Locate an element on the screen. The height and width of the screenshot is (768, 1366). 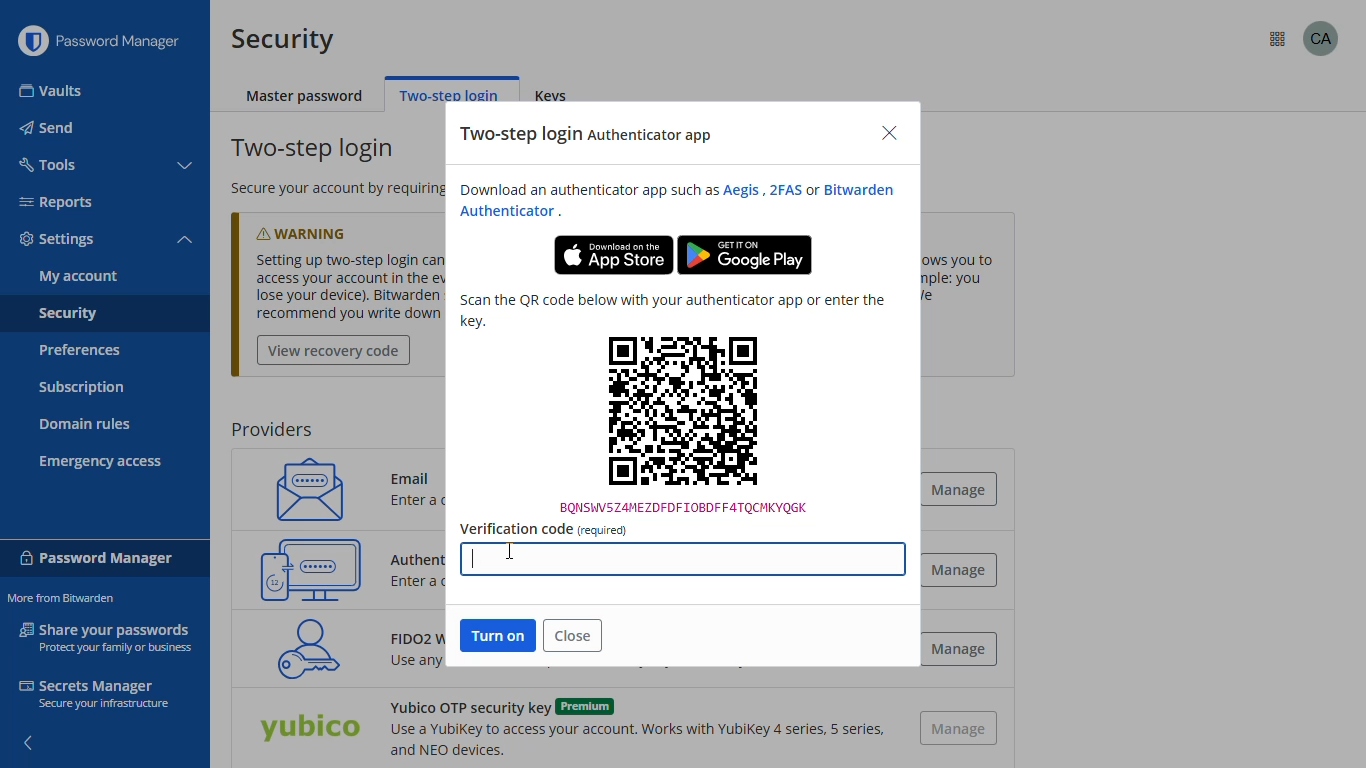
scan the QR code below with your authenticator app or enter the key. is located at coordinates (672, 310).